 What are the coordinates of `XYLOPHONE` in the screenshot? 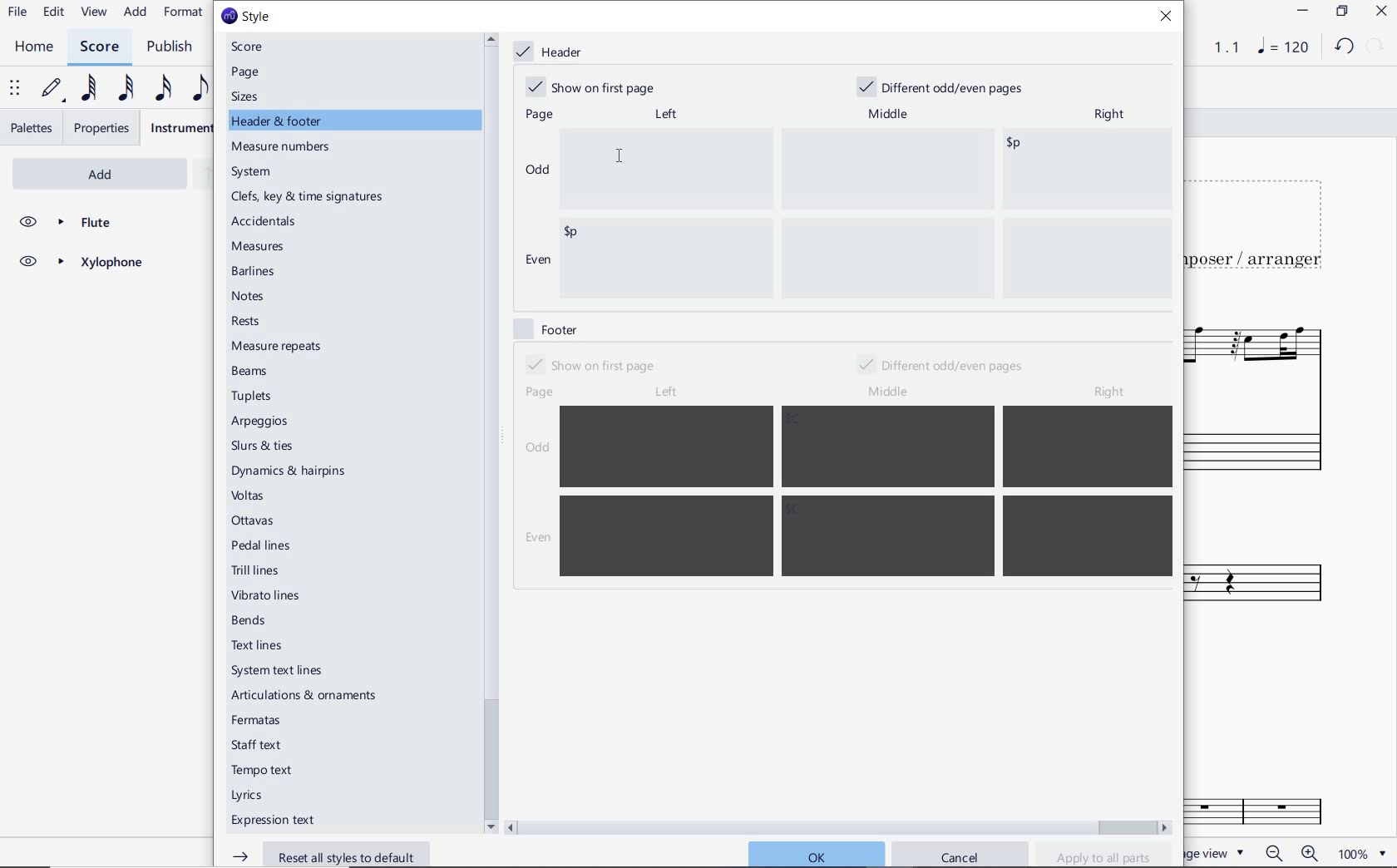 It's located at (80, 264).